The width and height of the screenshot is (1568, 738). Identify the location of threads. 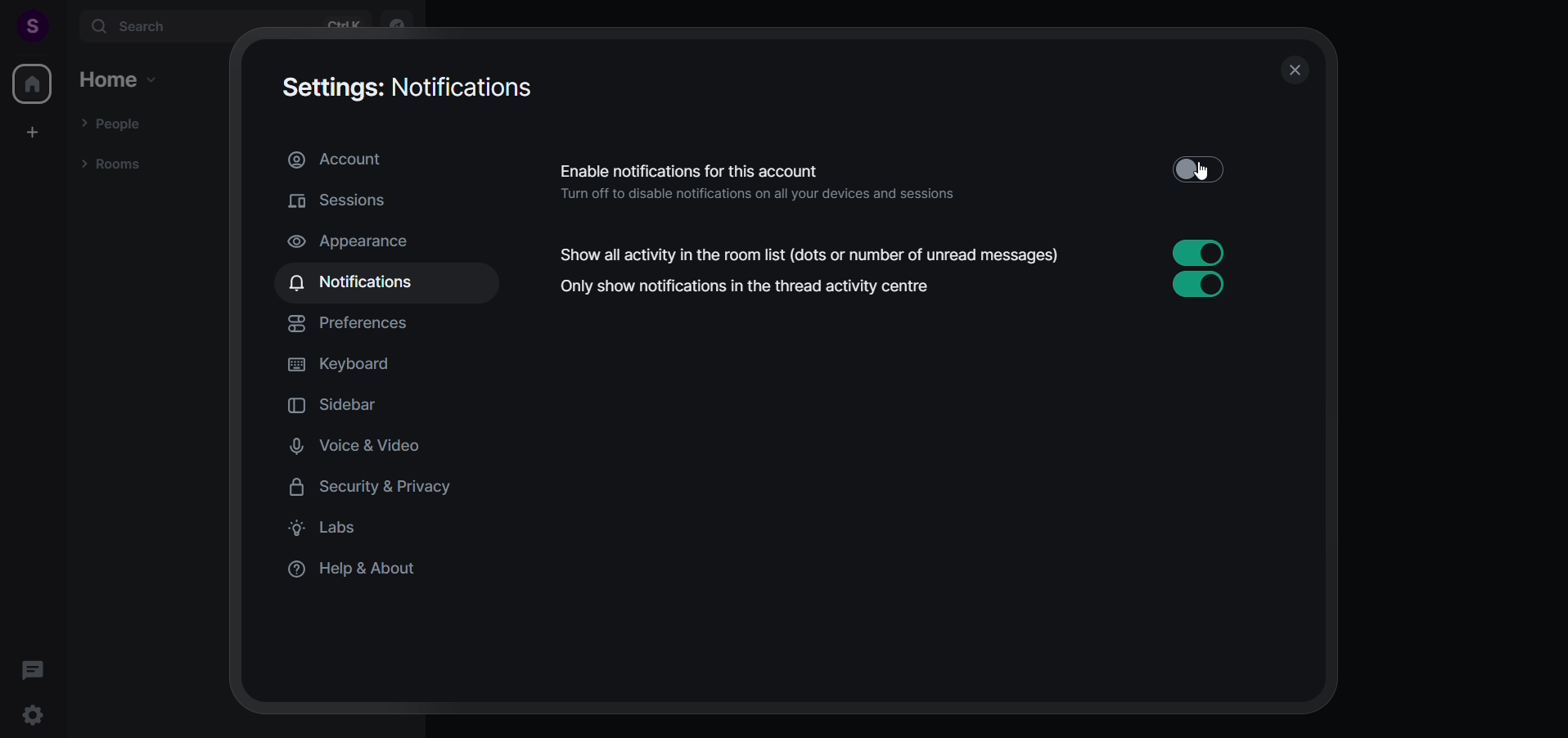
(32, 664).